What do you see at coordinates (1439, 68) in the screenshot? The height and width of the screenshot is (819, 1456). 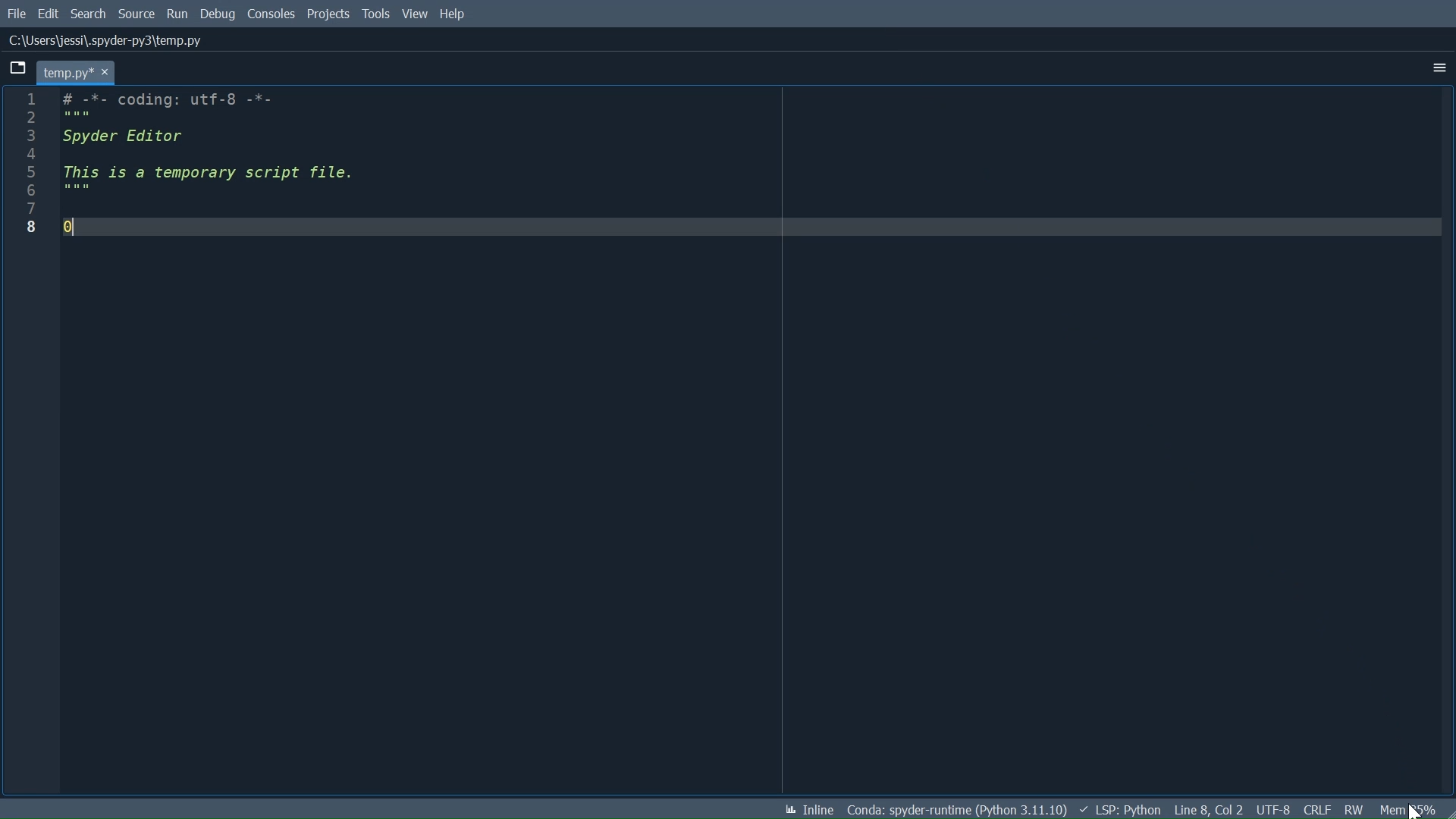 I see `More Options` at bounding box center [1439, 68].